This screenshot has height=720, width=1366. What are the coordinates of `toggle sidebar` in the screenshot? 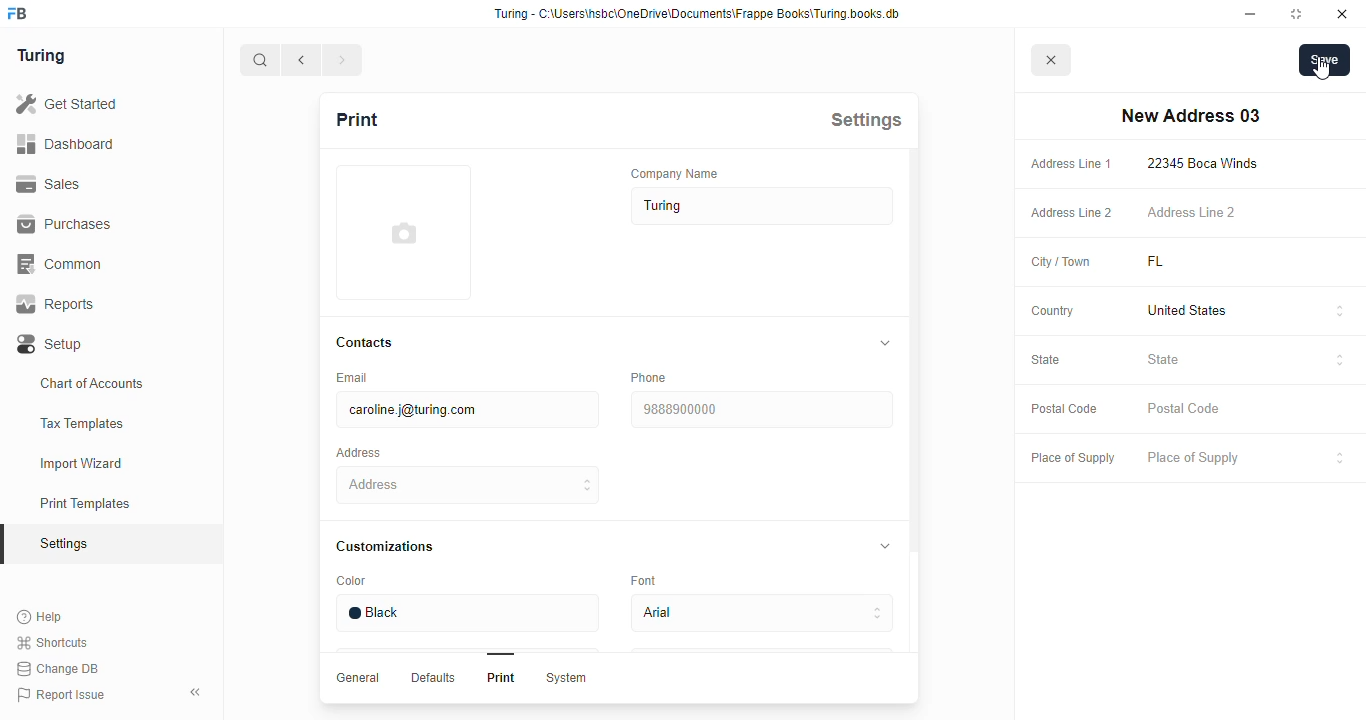 It's located at (198, 691).